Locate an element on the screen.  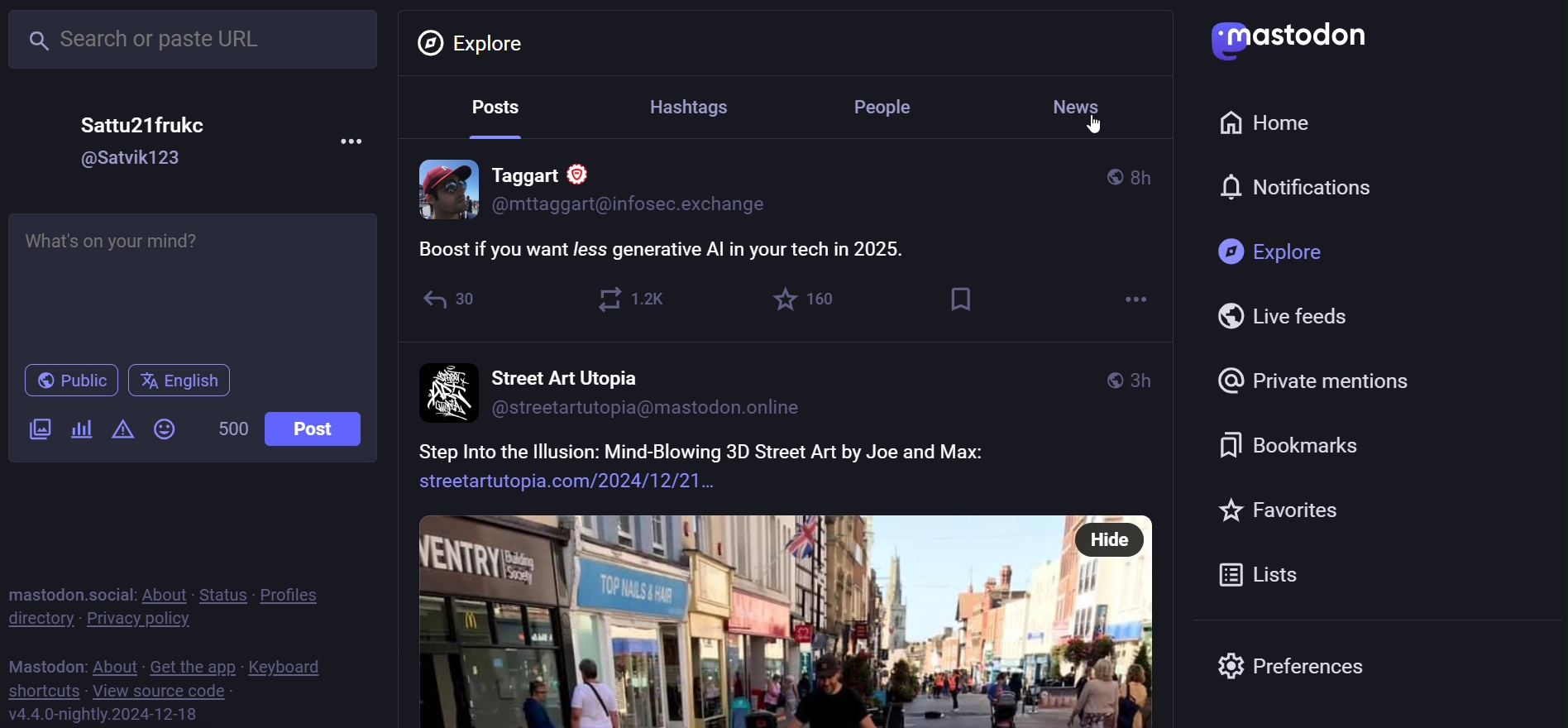
about is located at coordinates (163, 594).